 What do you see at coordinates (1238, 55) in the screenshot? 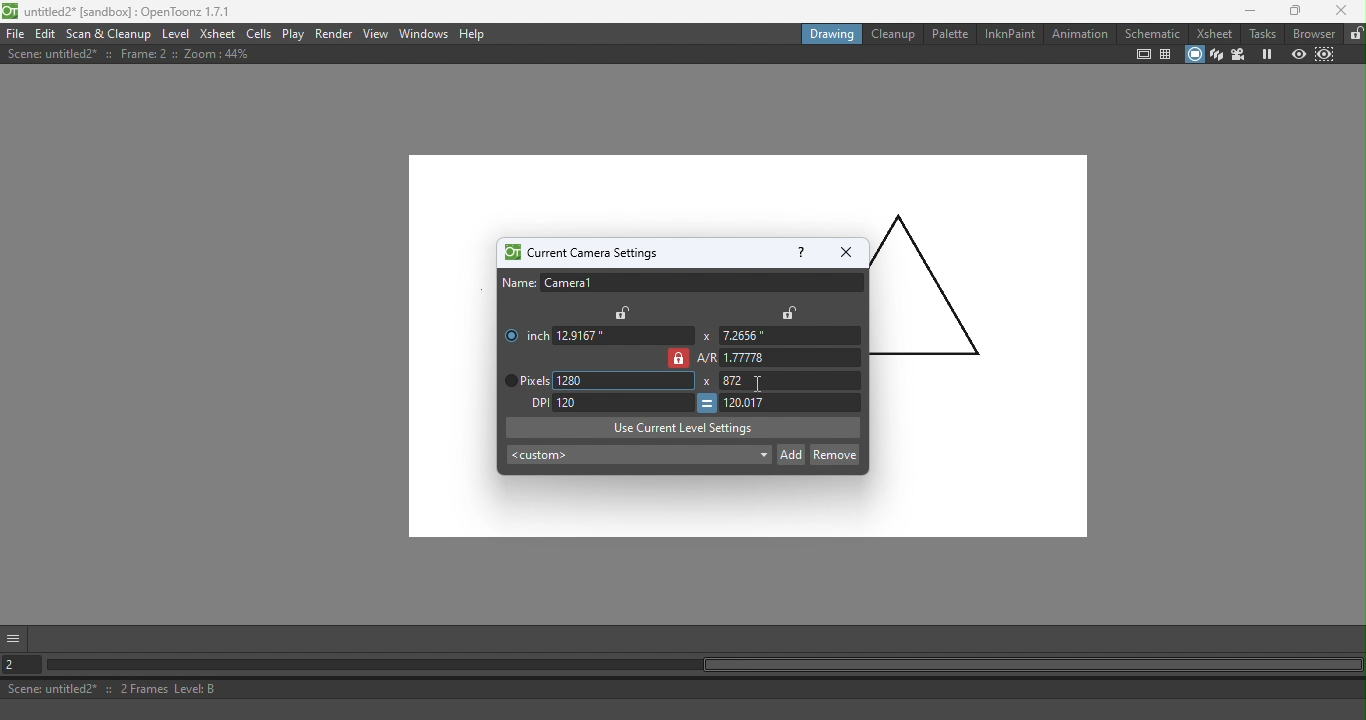
I see `Camera view` at bounding box center [1238, 55].